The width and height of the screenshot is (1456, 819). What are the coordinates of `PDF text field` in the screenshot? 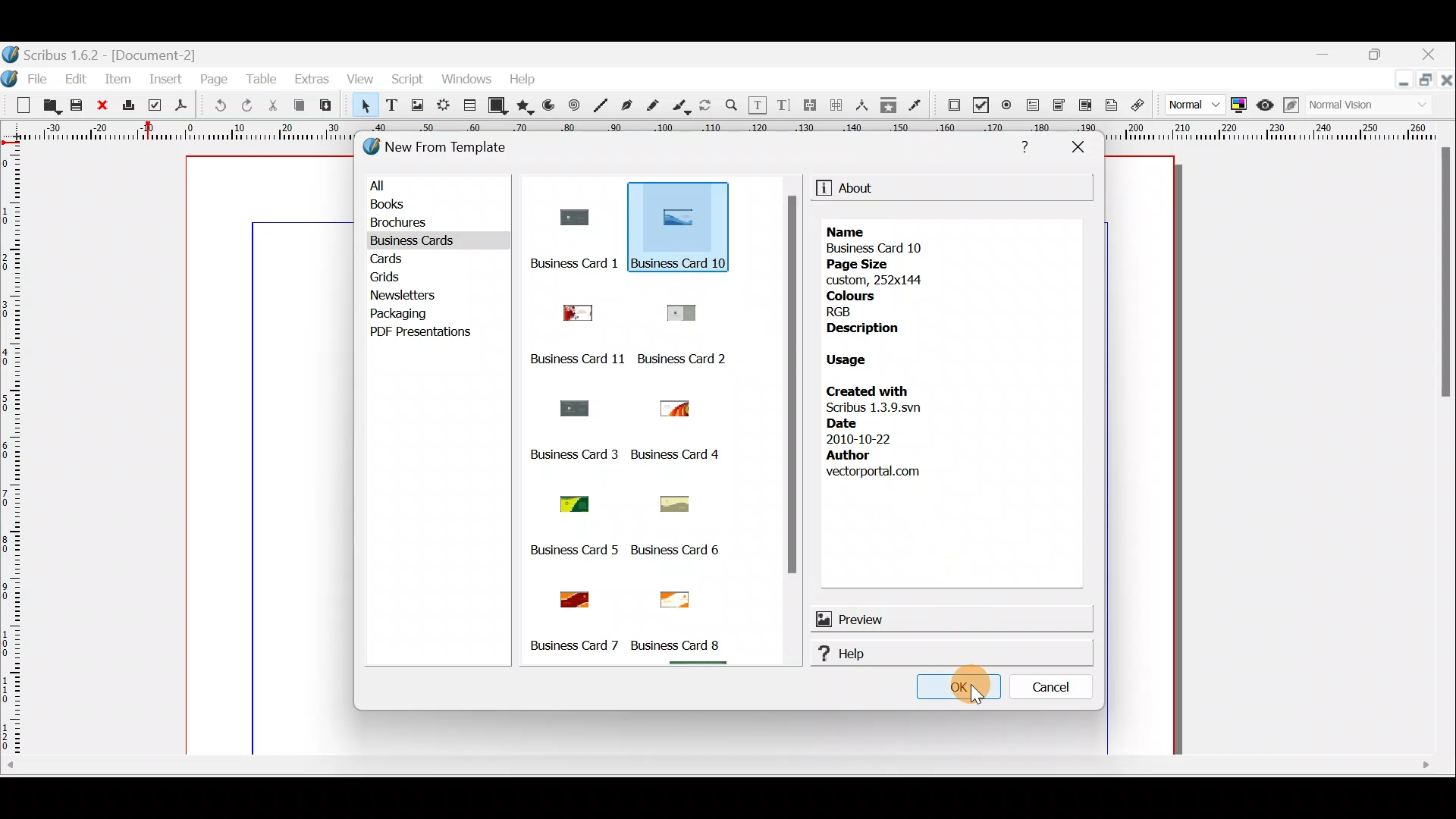 It's located at (1034, 107).